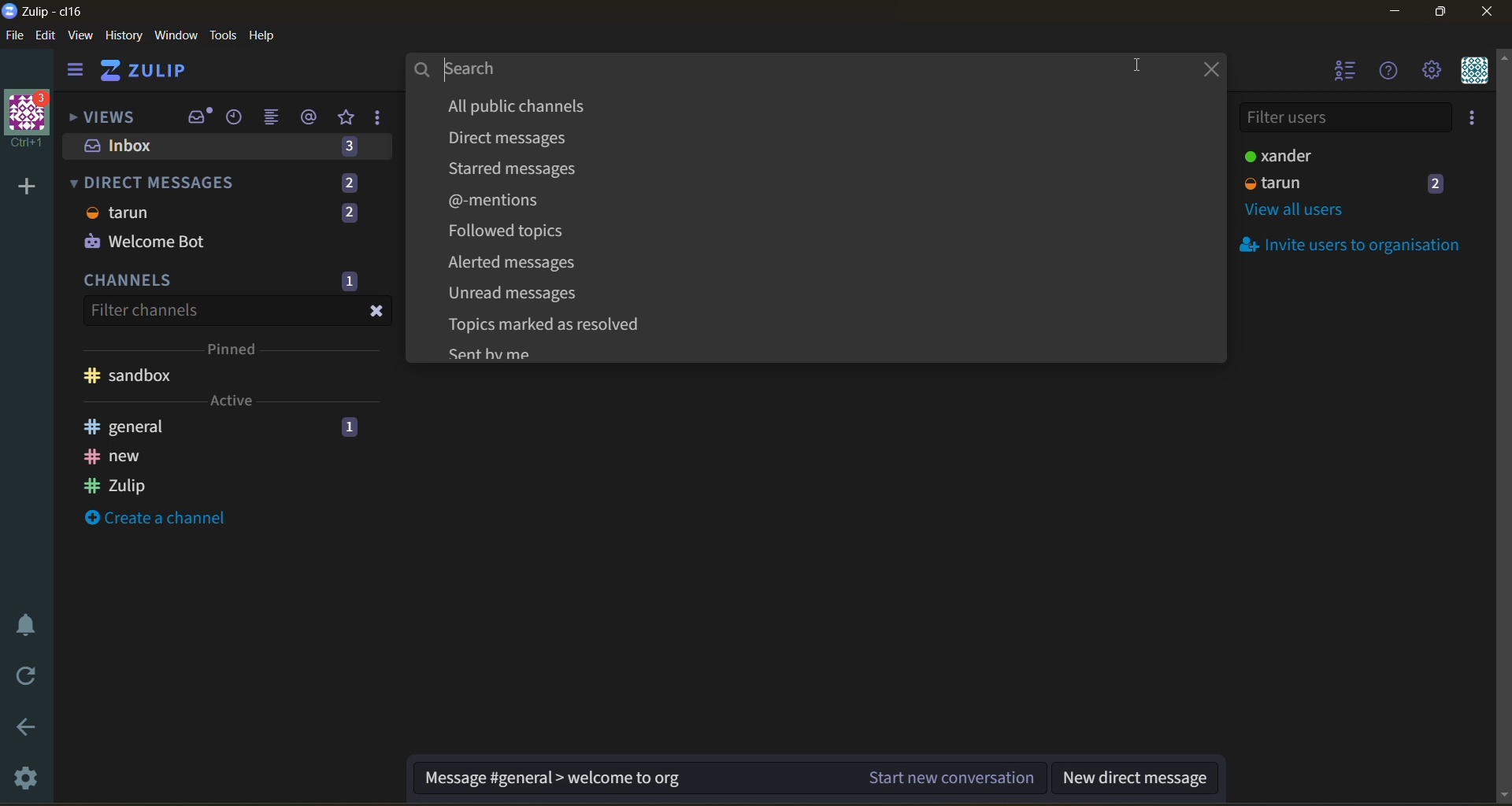  Describe the element at coordinates (552, 779) in the screenshot. I see `Message #general > welcome to org` at that location.